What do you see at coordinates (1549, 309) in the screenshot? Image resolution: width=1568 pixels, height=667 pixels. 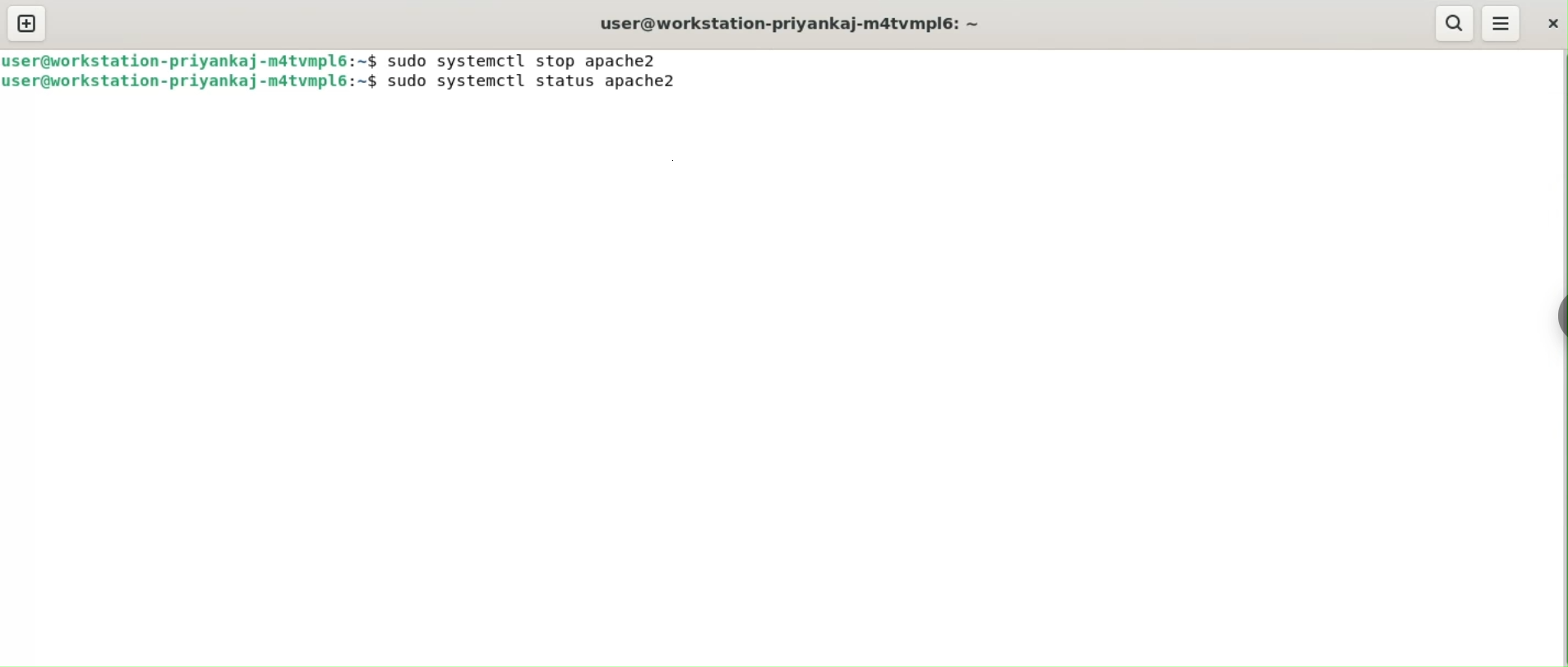 I see `chrome options` at bounding box center [1549, 309].